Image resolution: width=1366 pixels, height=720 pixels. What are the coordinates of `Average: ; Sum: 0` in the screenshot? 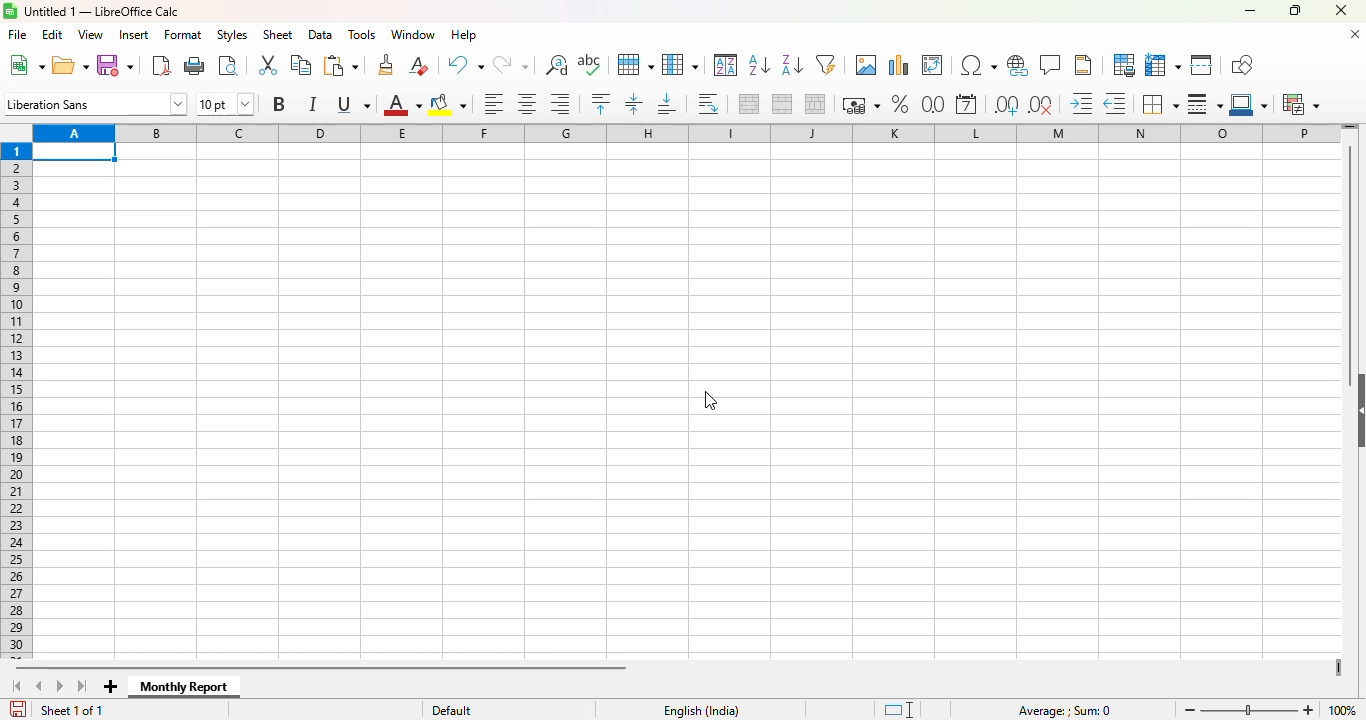 It's located at (1064, 711).